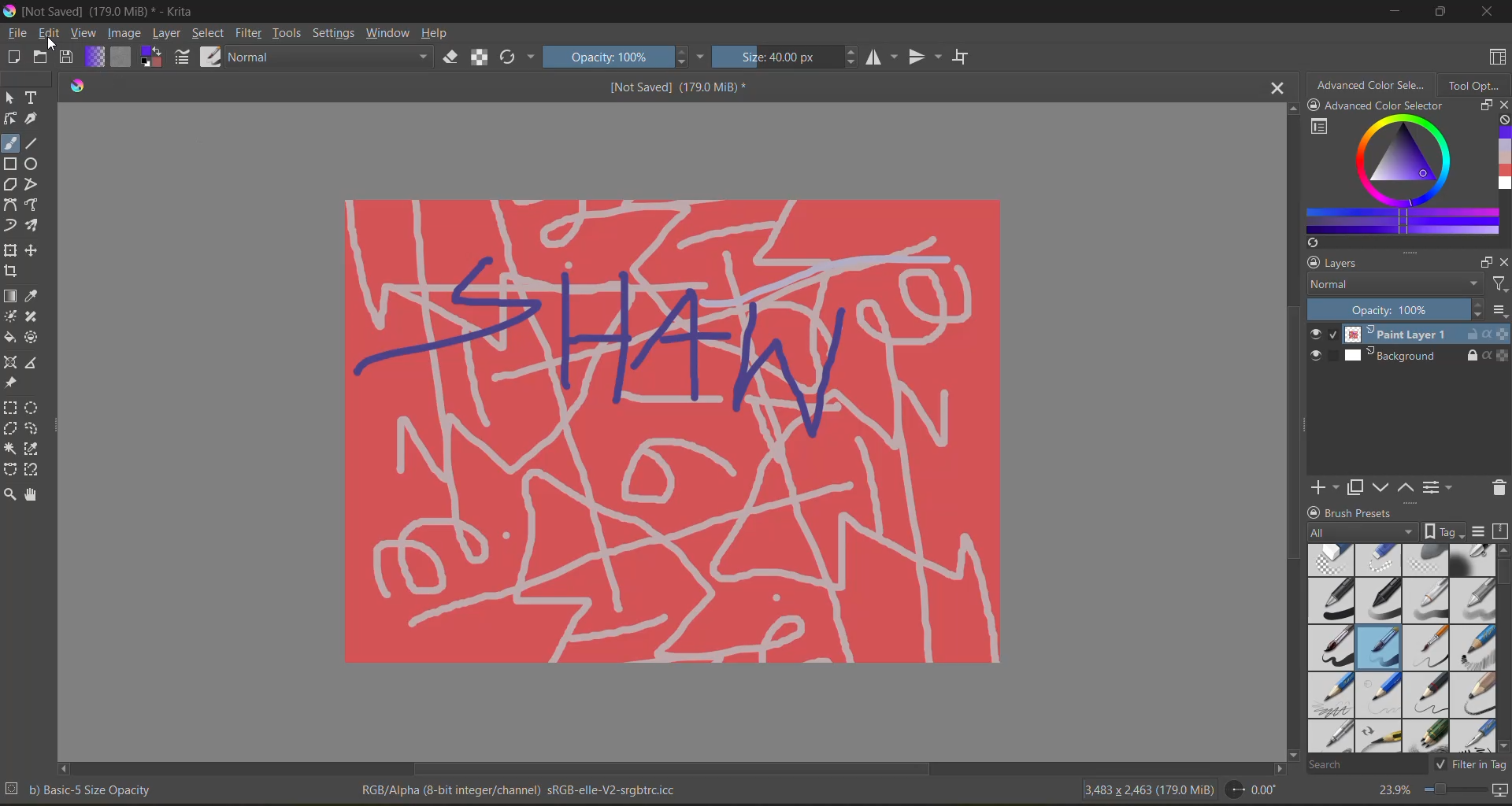 The width and height of the screenshot is (1512, 806). I want to click on advanced color selector, so click(1398, 182).